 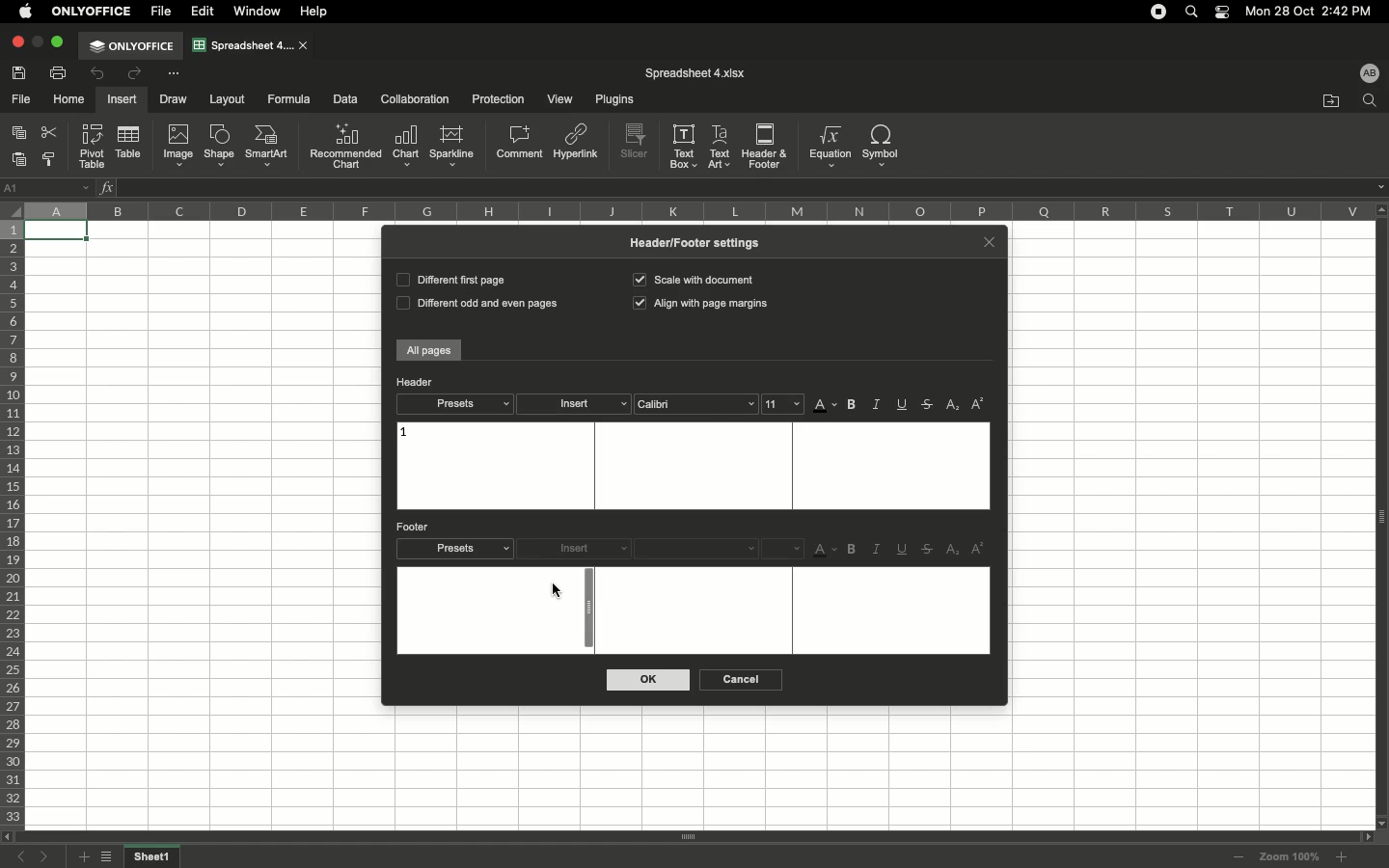 What do you see at coordinates (1290, 856) in the screenshot?
I see `Zoom` at bounding box center [1290, 856].